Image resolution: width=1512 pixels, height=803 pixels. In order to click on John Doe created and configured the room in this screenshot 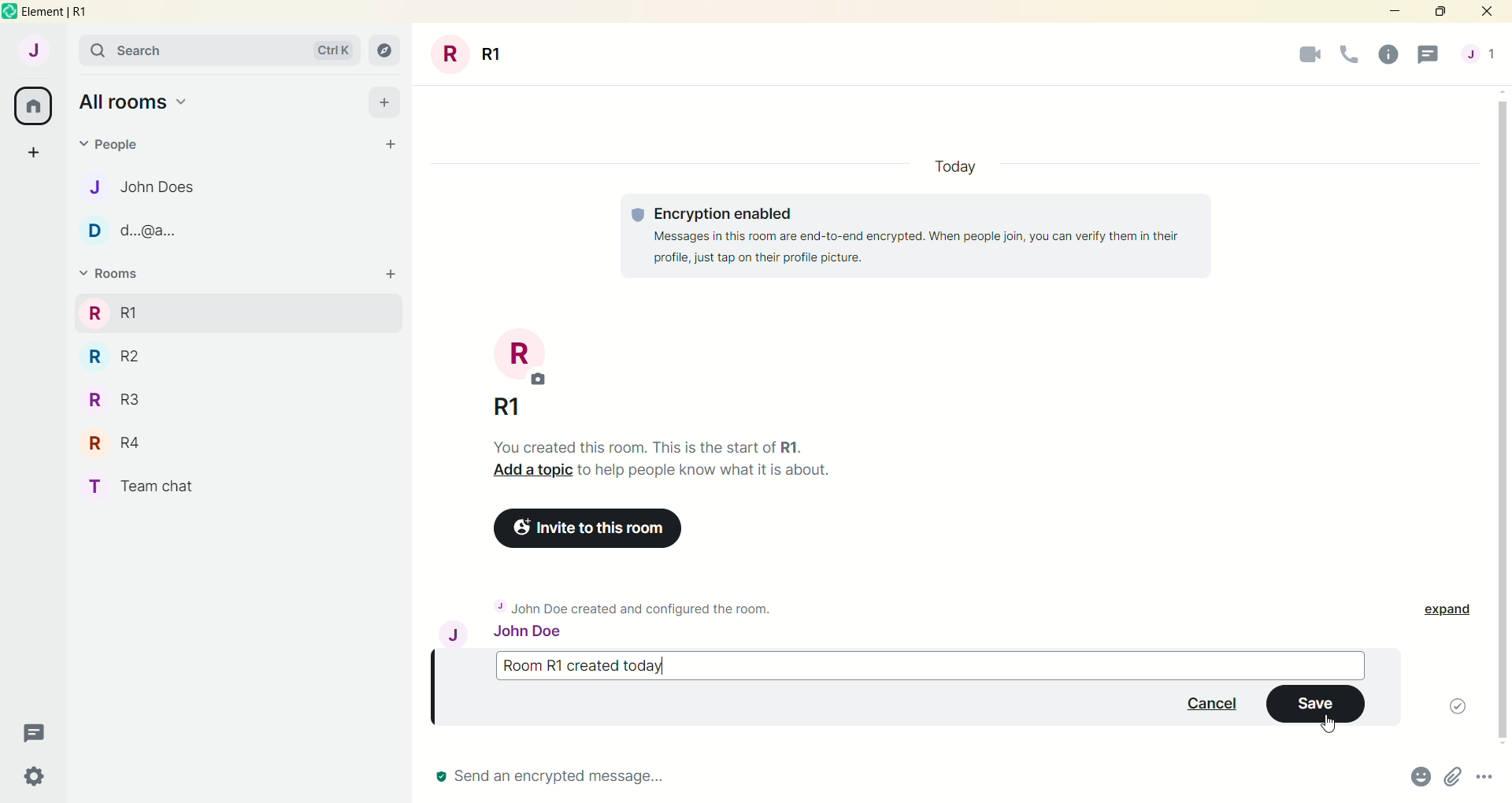, I will do `click(647, 607)`.